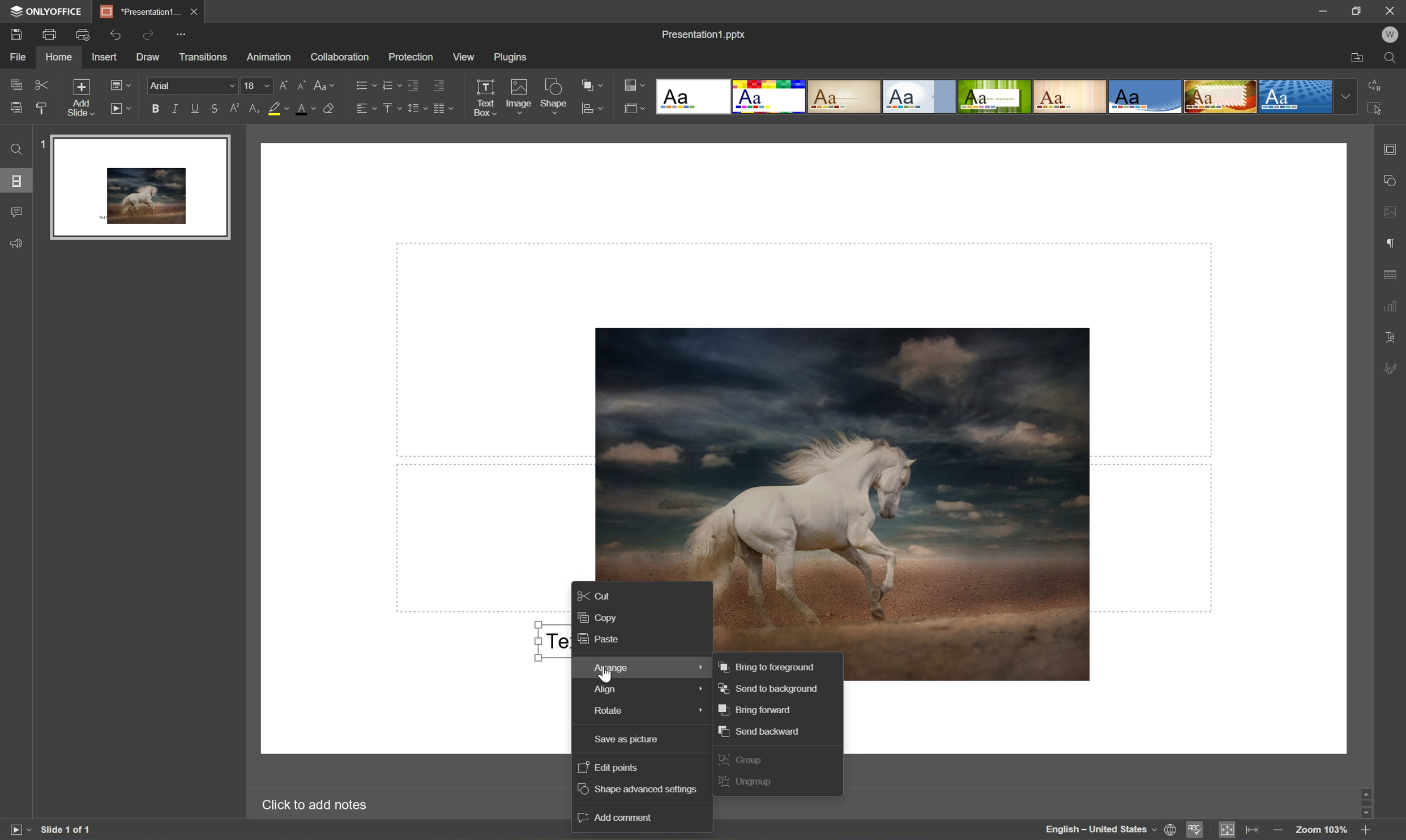 Image resolution: width=1406 pixels, height=840 pixels. Describe the element at coordinates (320, 807) in the screenshot. I see `Click to add notes` at that location.